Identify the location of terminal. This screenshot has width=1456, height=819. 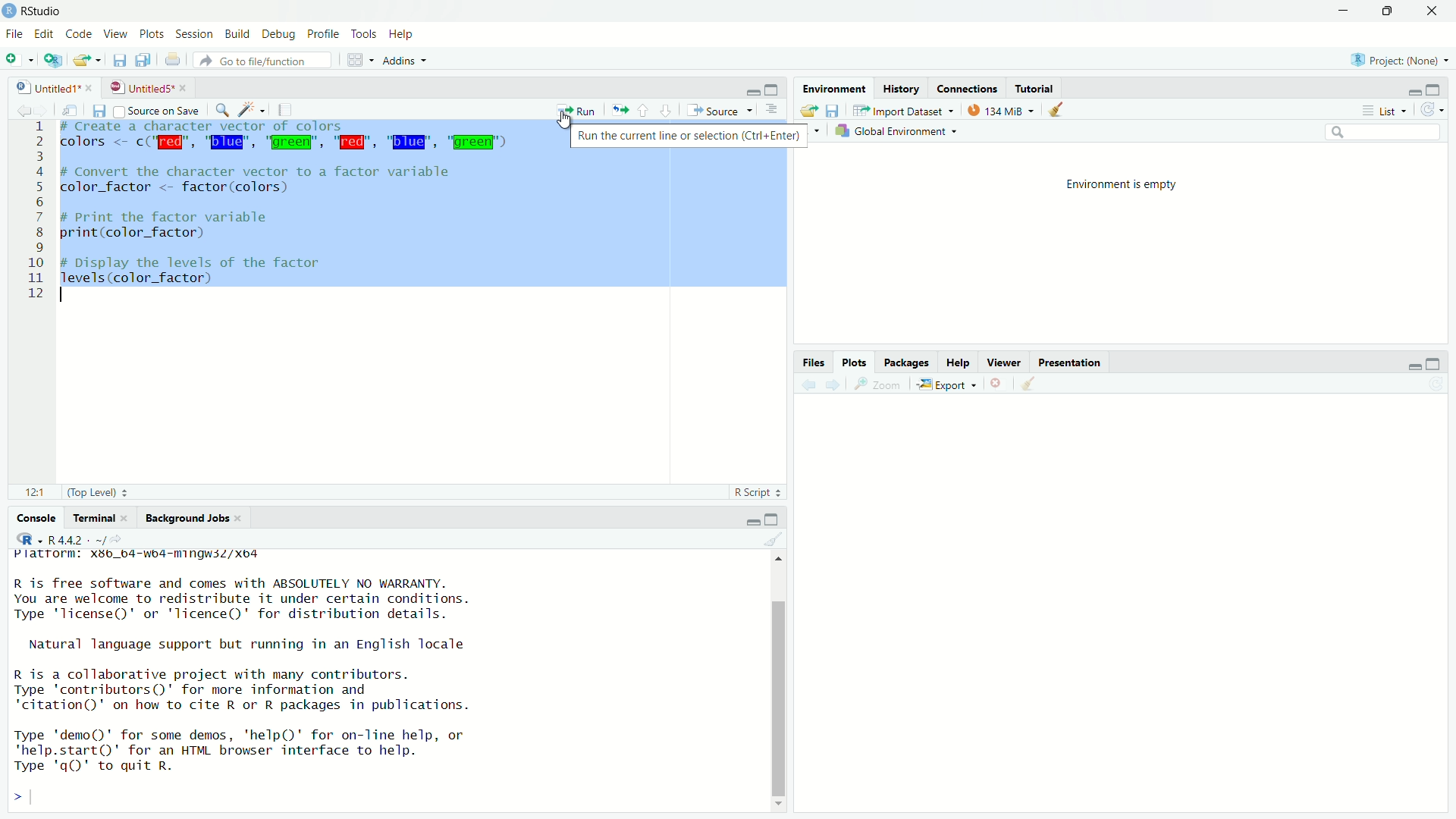
(101, 517).